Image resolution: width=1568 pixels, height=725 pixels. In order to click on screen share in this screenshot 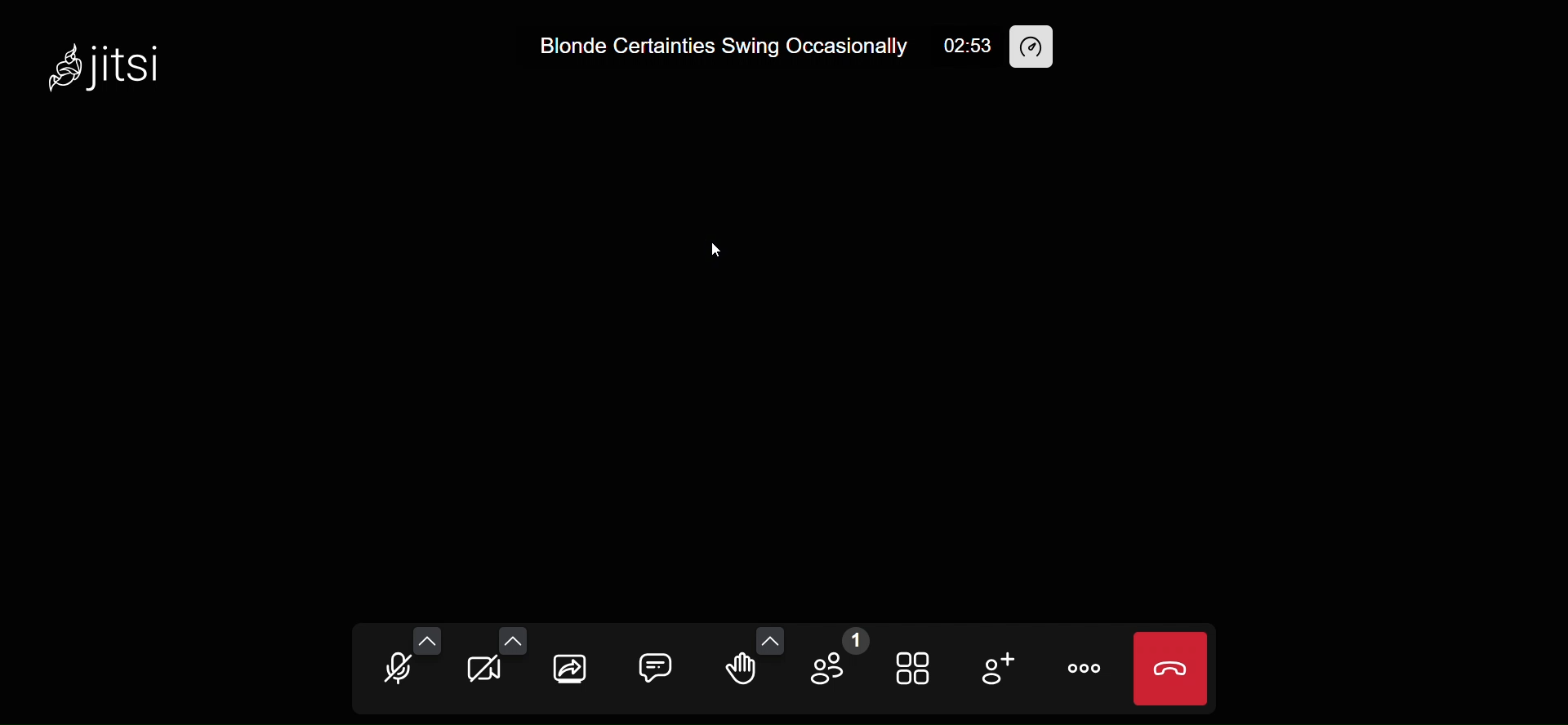, I will do `click(570, 668)`.